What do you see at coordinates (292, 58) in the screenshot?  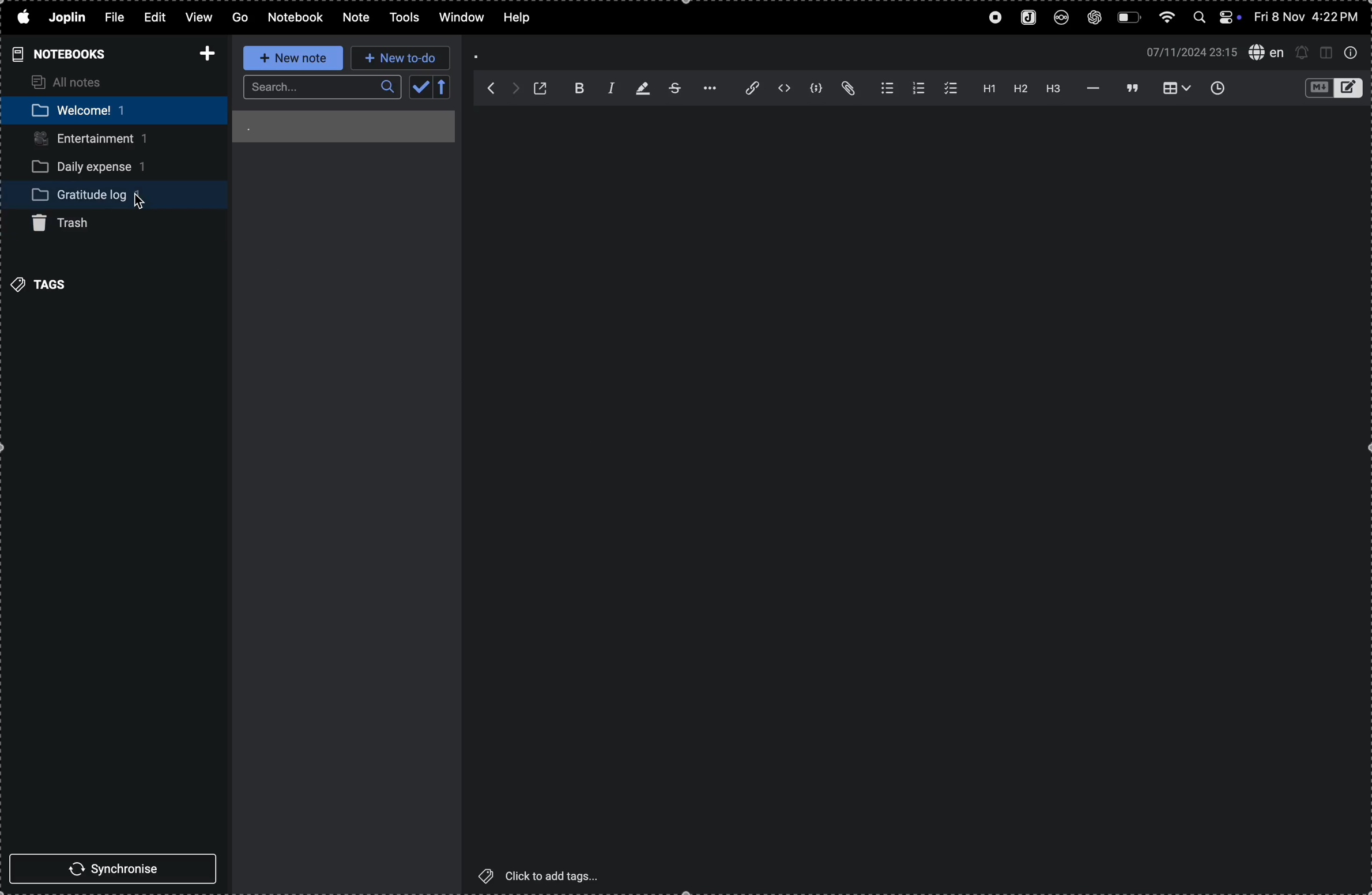 I see `new note` at bounding box center [292, 58].